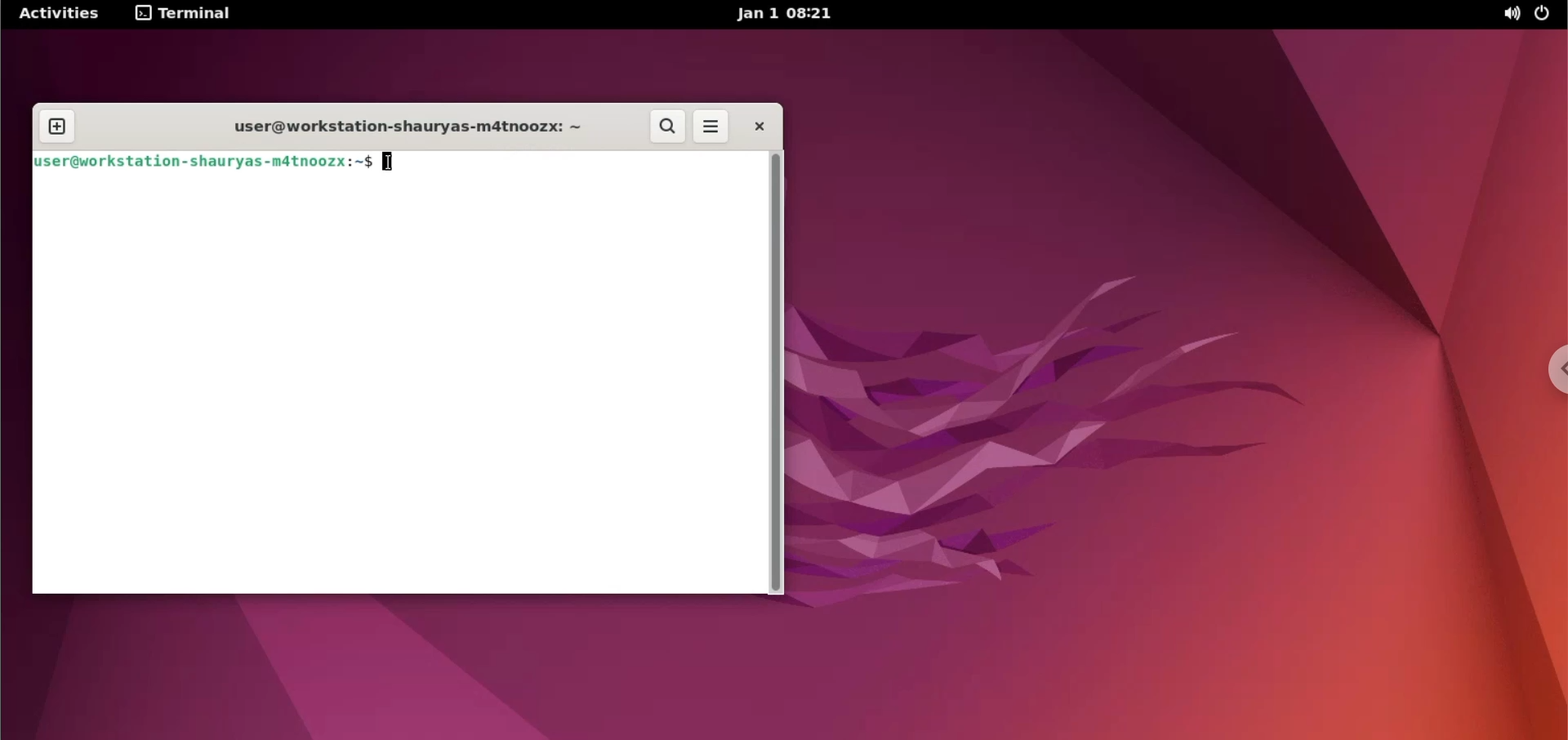 Image resolution: width=1568 pixels, height=740 pixels. Describe the element at coordinates (57, 125) in the screenshot. I see `new tab` at that location.